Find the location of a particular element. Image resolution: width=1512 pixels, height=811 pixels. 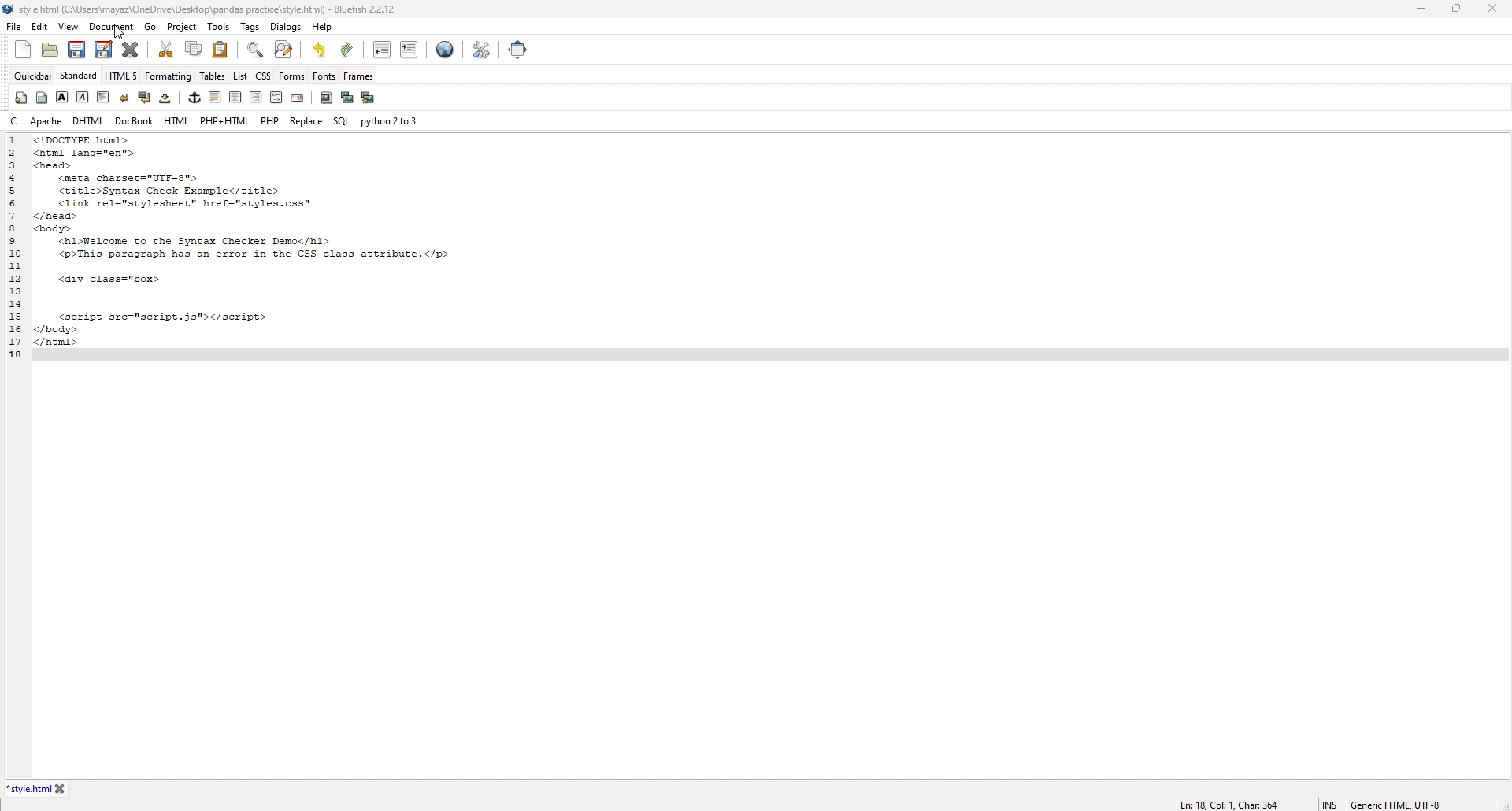

cut is located at coordinates (167, 49).